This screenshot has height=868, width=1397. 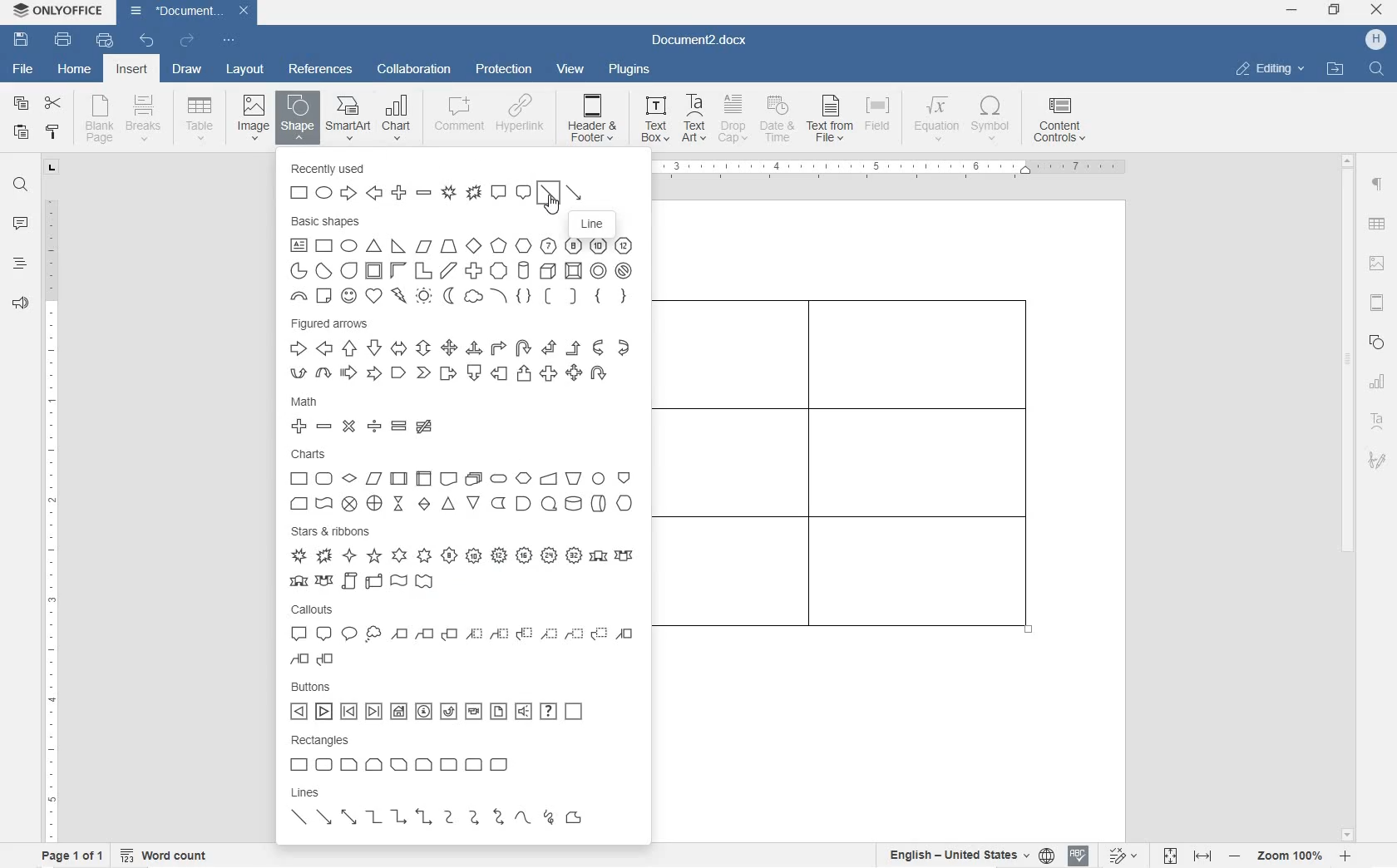 What do you see at coordinates (320, 69) in the screenshot?
I see `references` at bounding box center [320, 69].